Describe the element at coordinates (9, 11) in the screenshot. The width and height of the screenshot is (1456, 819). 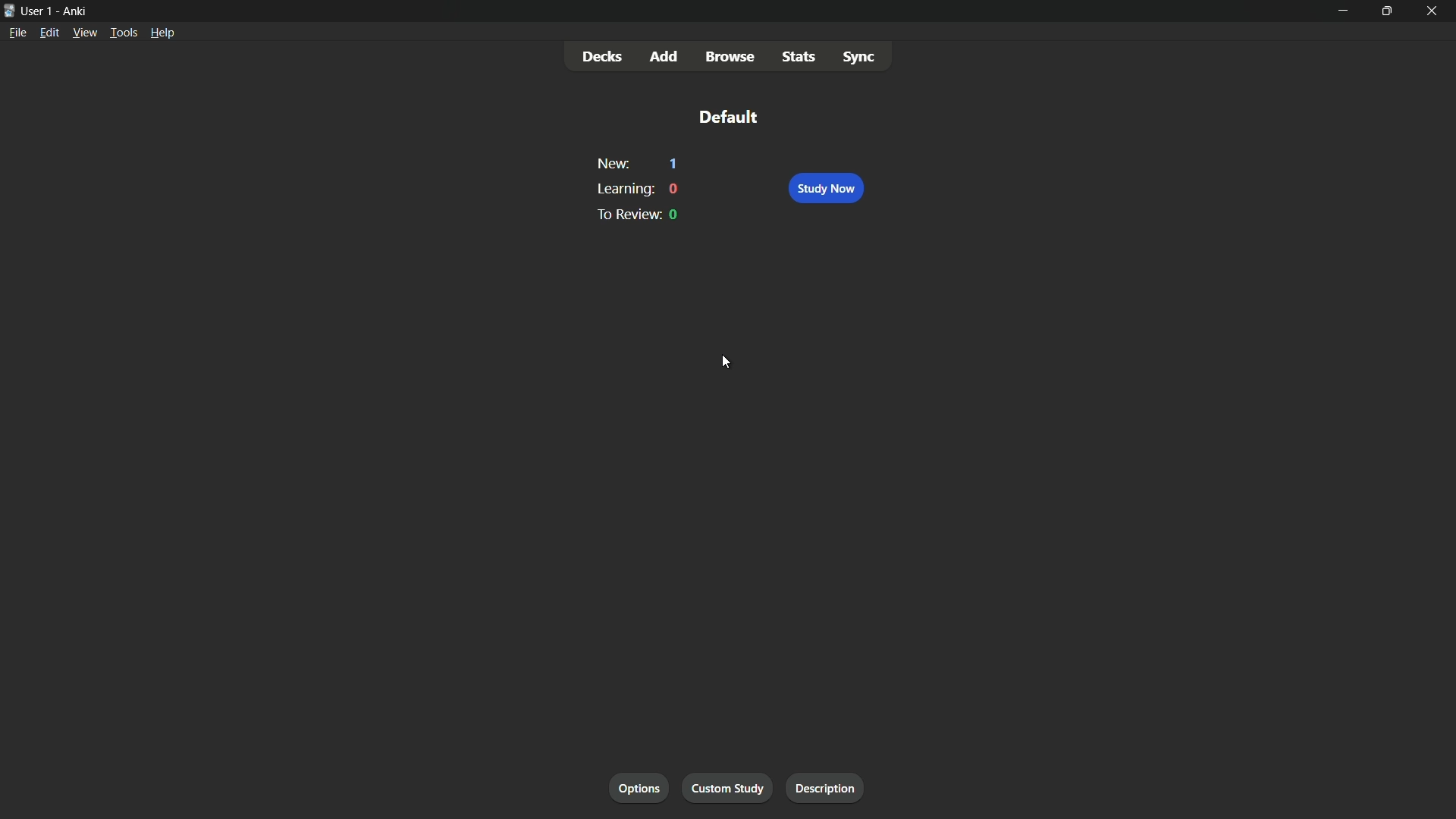
I see `app icon` at that location.